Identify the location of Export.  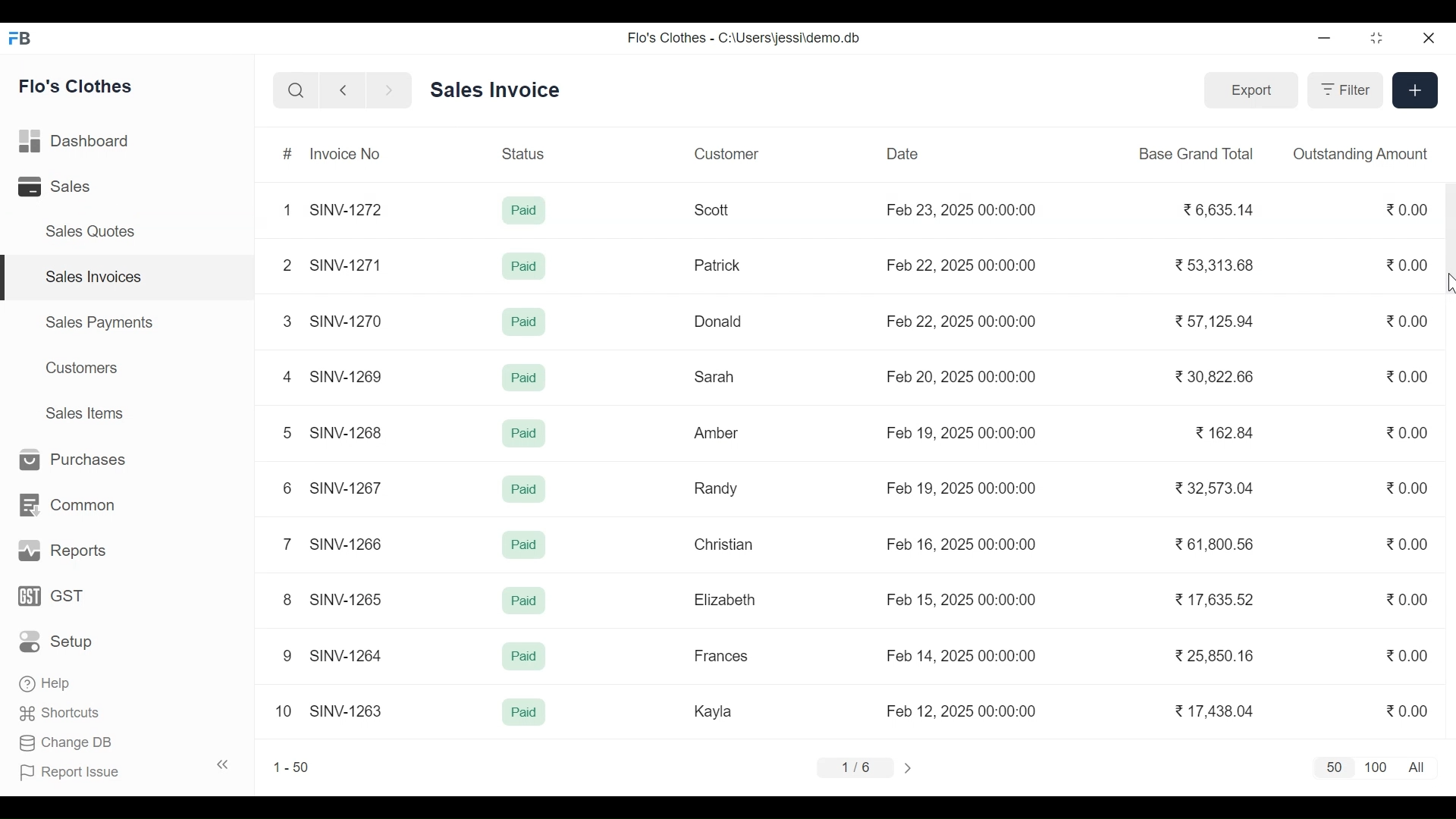
(1248, 89).